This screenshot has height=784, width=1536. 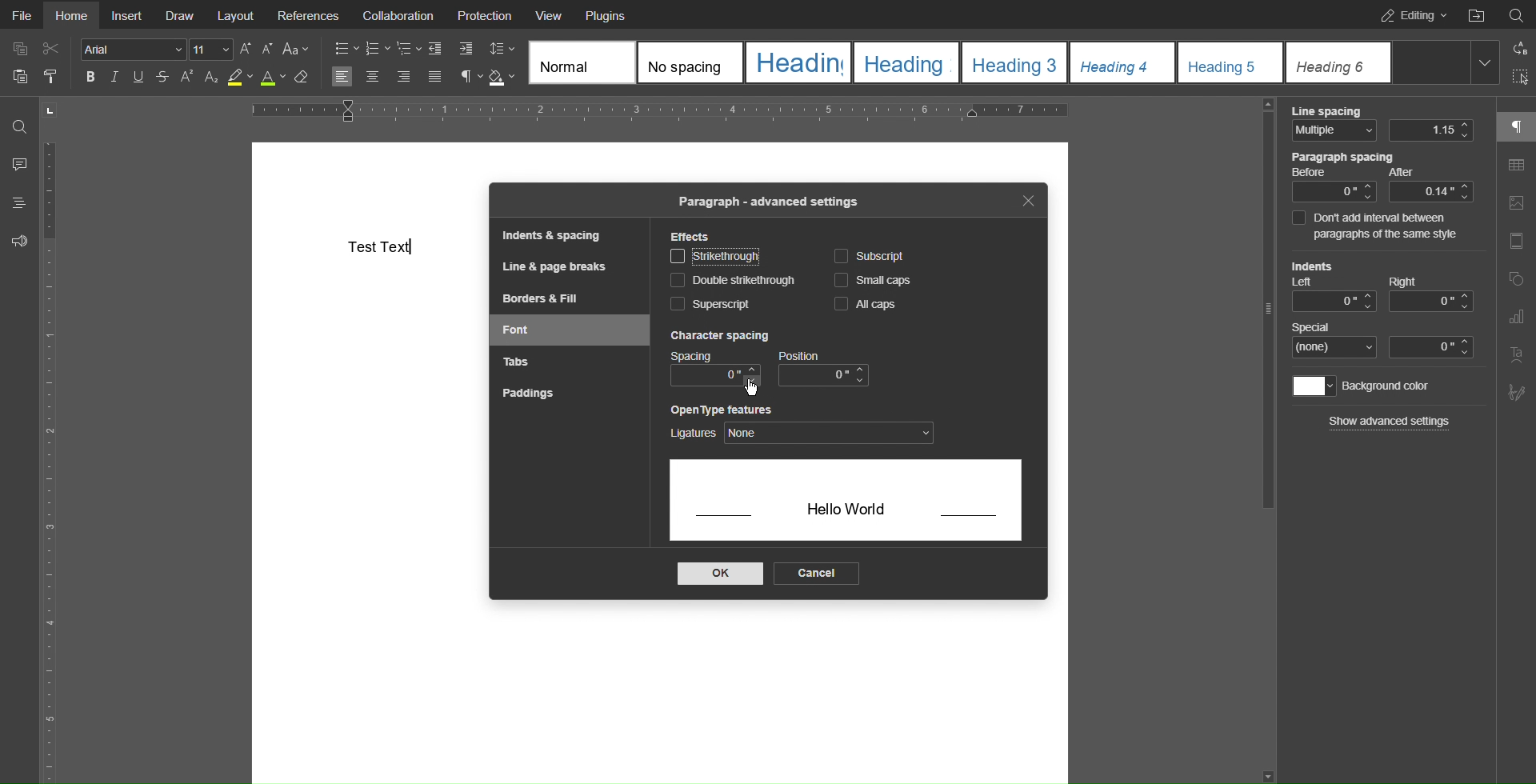 I want to click on Increase Size, so click(x=247, y=49).